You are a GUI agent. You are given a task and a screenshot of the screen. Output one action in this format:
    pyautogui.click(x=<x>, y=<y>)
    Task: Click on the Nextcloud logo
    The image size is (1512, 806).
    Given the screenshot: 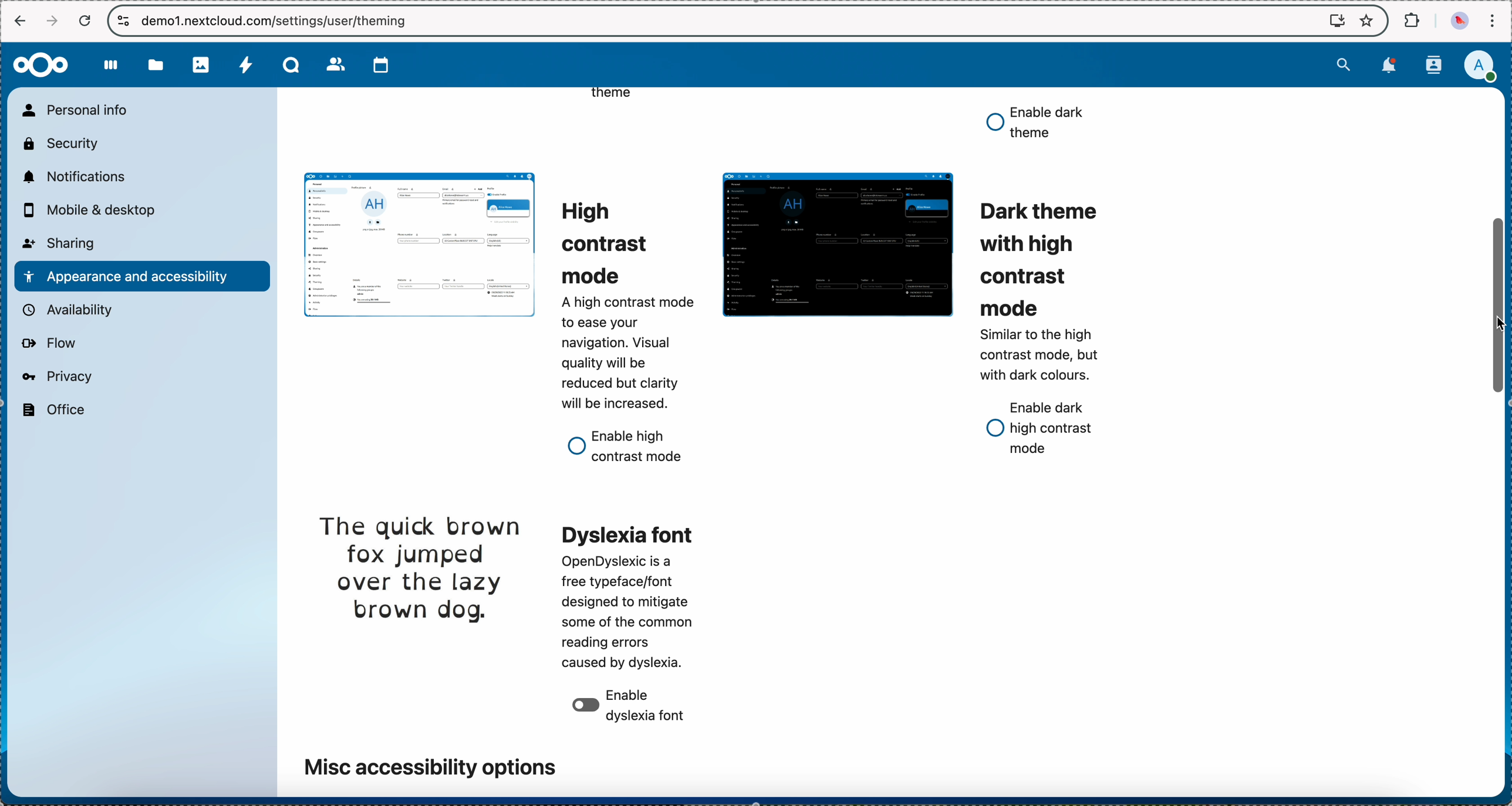 What is the action you would take?
    pyautogui.click(x=42, y=64)
    